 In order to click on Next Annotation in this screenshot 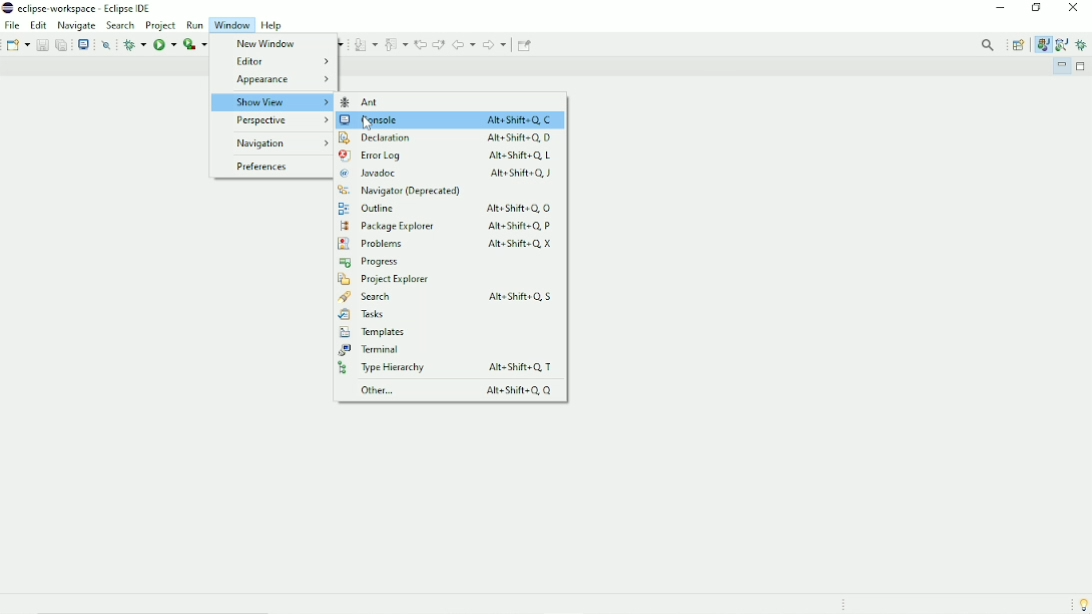, I will do `click(365, 45)`.